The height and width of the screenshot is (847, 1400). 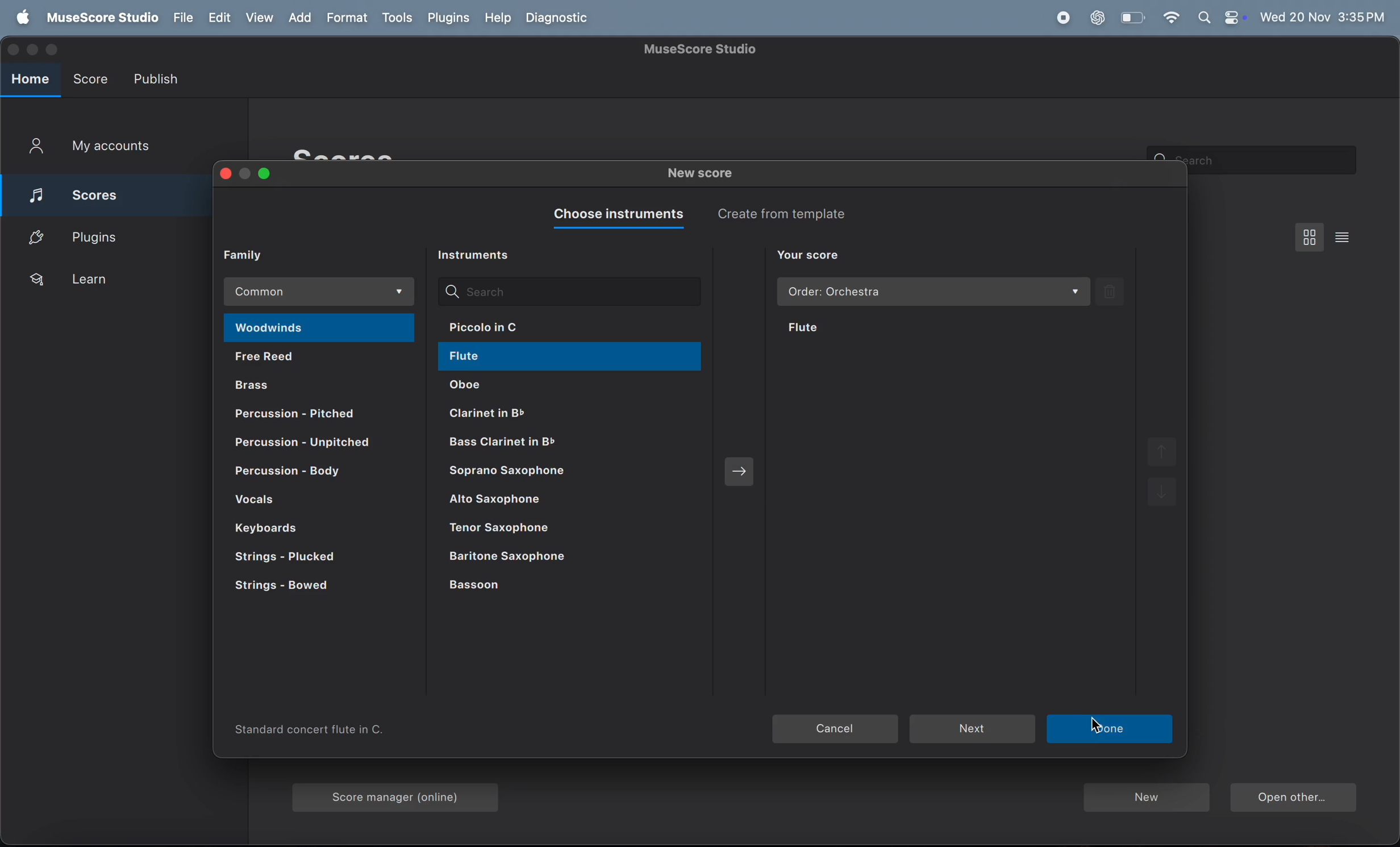 What do you see at coordinates (349, 18) in the screenshot?
I see `format` at bounding box center [349, 18].